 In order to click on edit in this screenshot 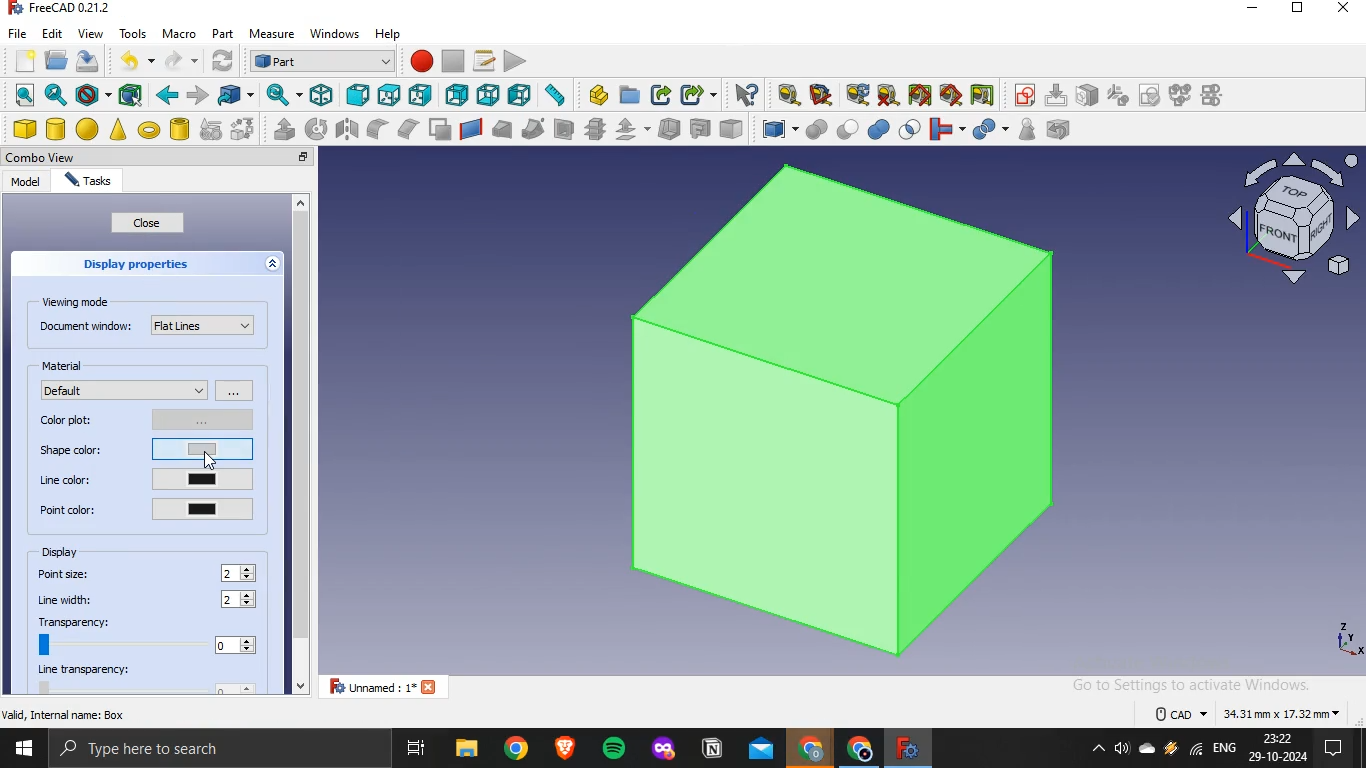, I will do `click(52, 32)`.